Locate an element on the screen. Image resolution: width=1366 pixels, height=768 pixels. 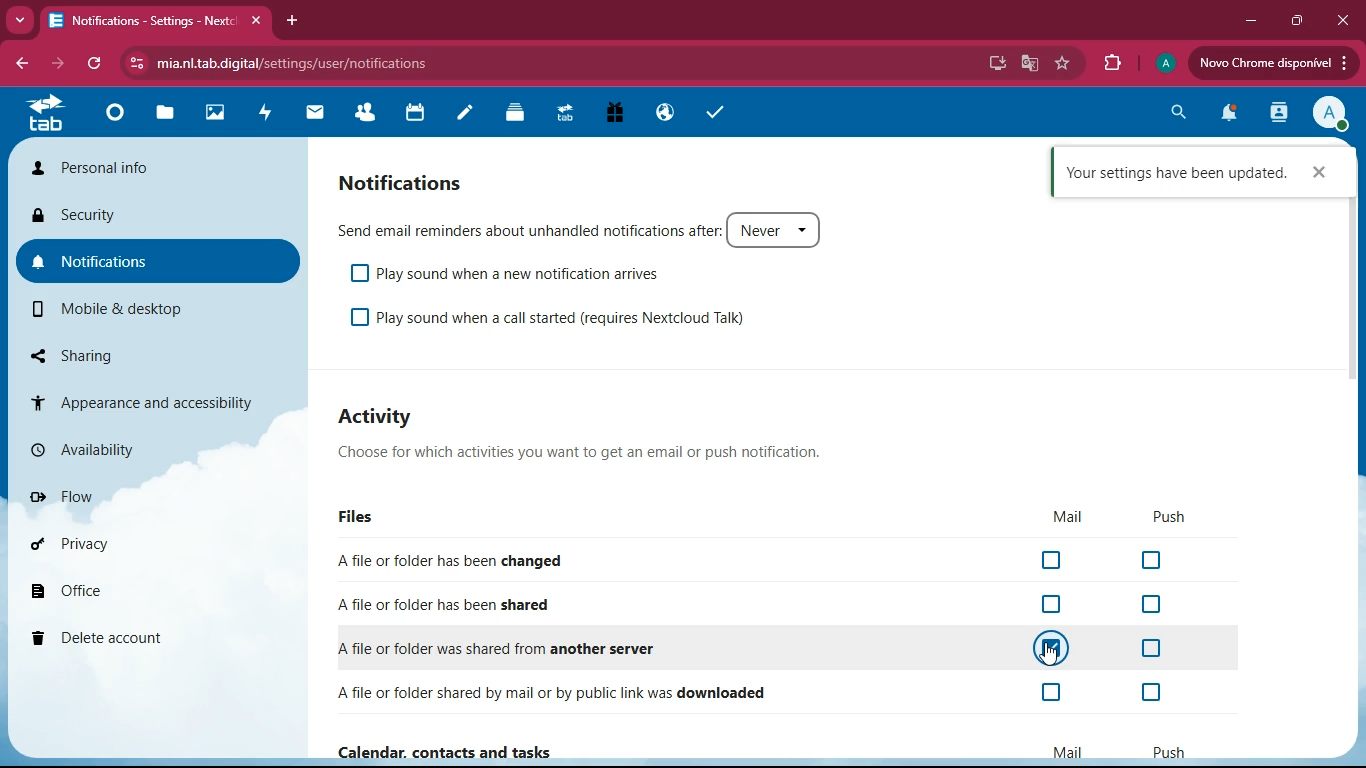
extensions is located at coordinates (1112, 64).